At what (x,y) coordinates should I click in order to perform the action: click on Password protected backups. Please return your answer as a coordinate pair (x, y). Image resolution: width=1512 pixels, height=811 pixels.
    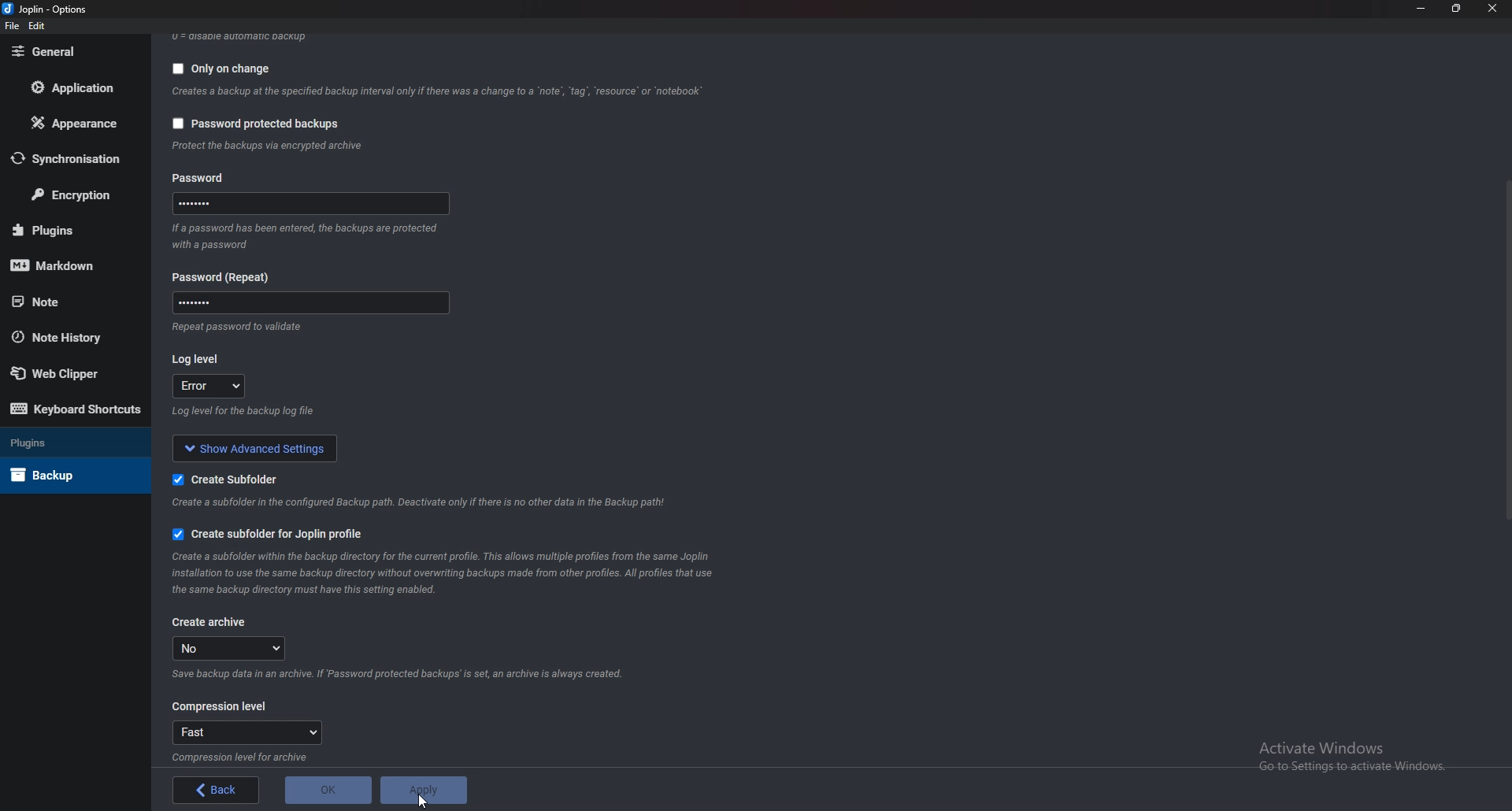
    Looking at the image, I should click on (258, 125).